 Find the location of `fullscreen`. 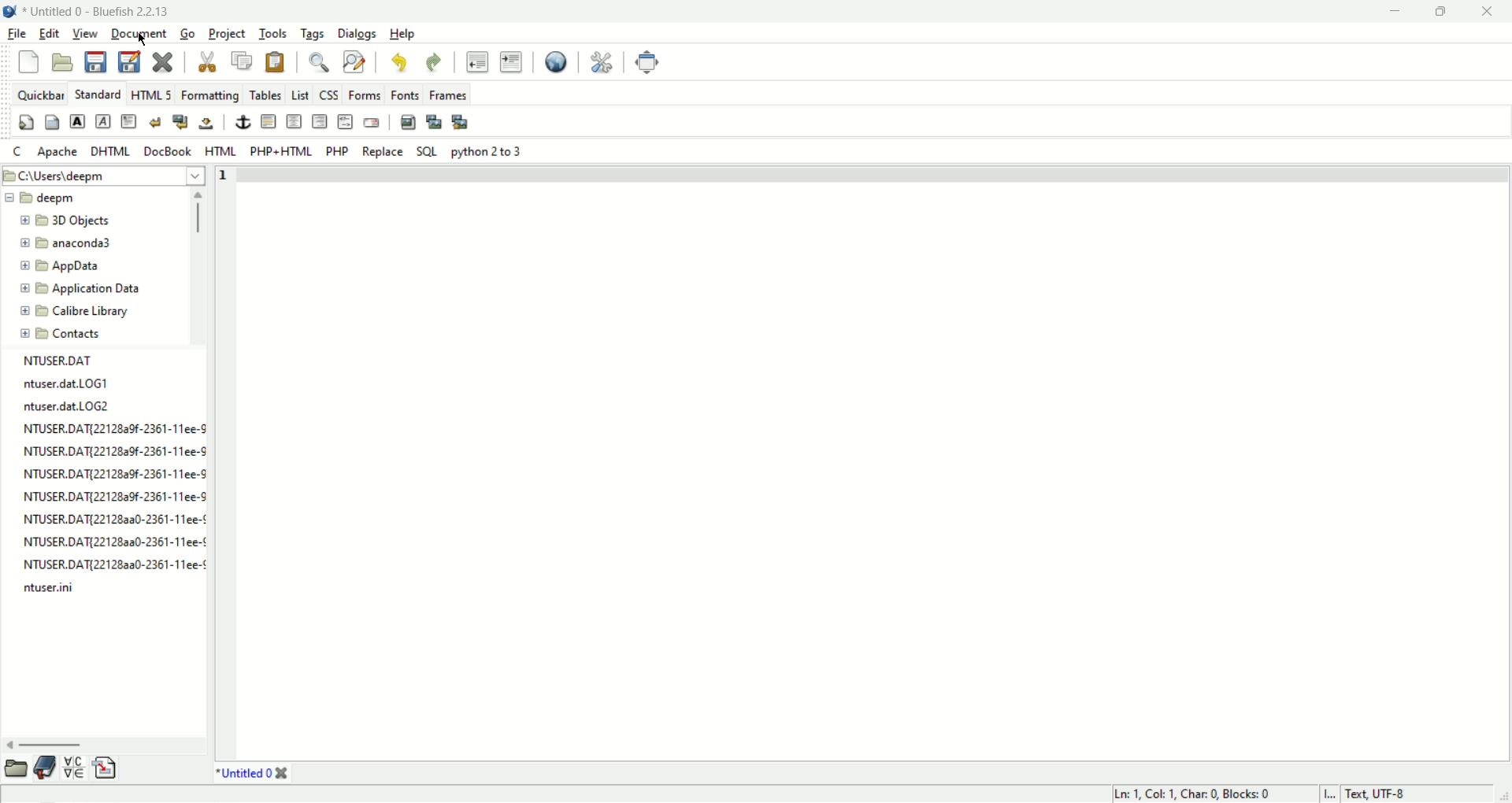

fullscreen is located at coordinates (647, 62).